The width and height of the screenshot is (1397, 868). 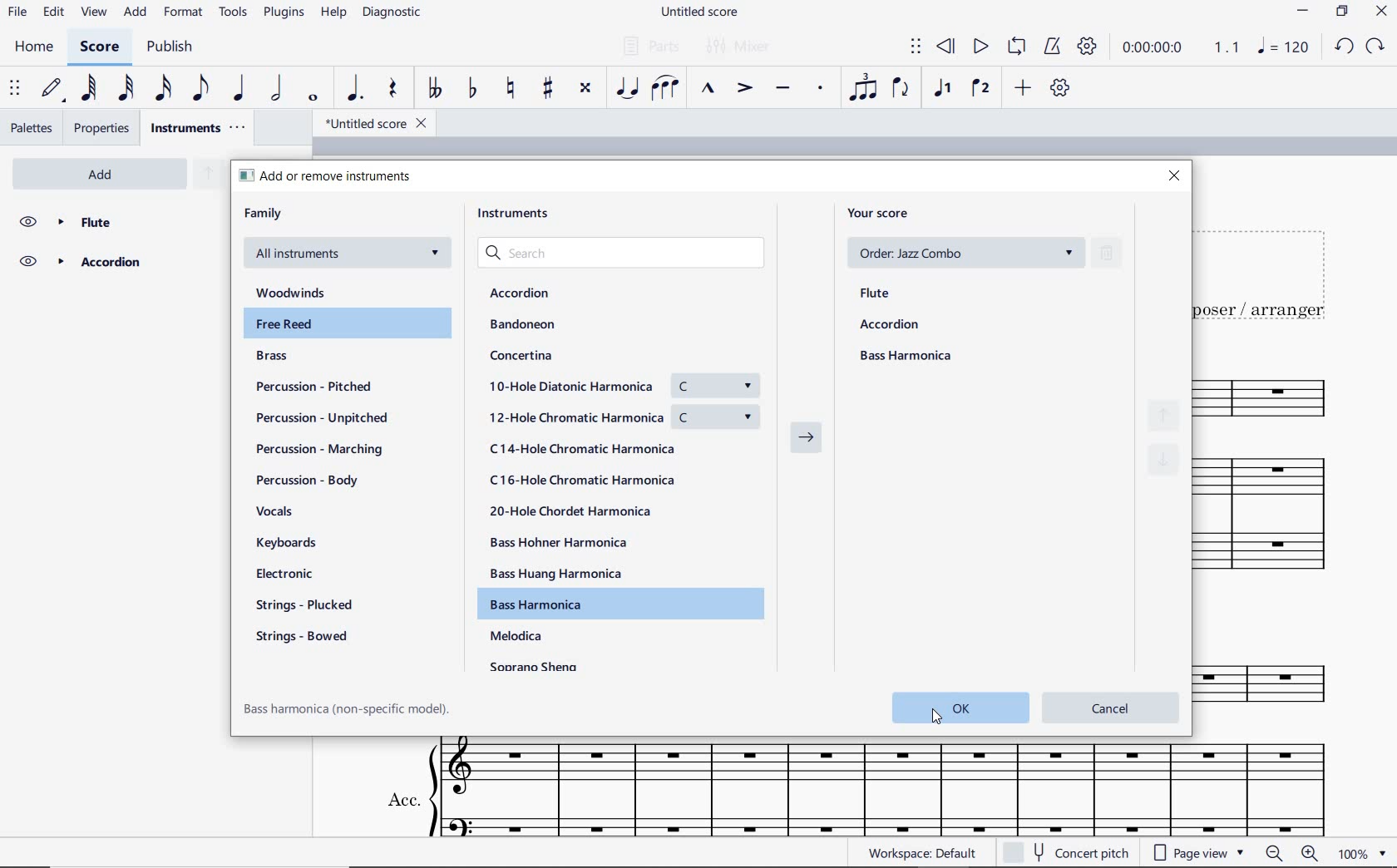 I want to click on eighth note, so click(x=198, y=90).